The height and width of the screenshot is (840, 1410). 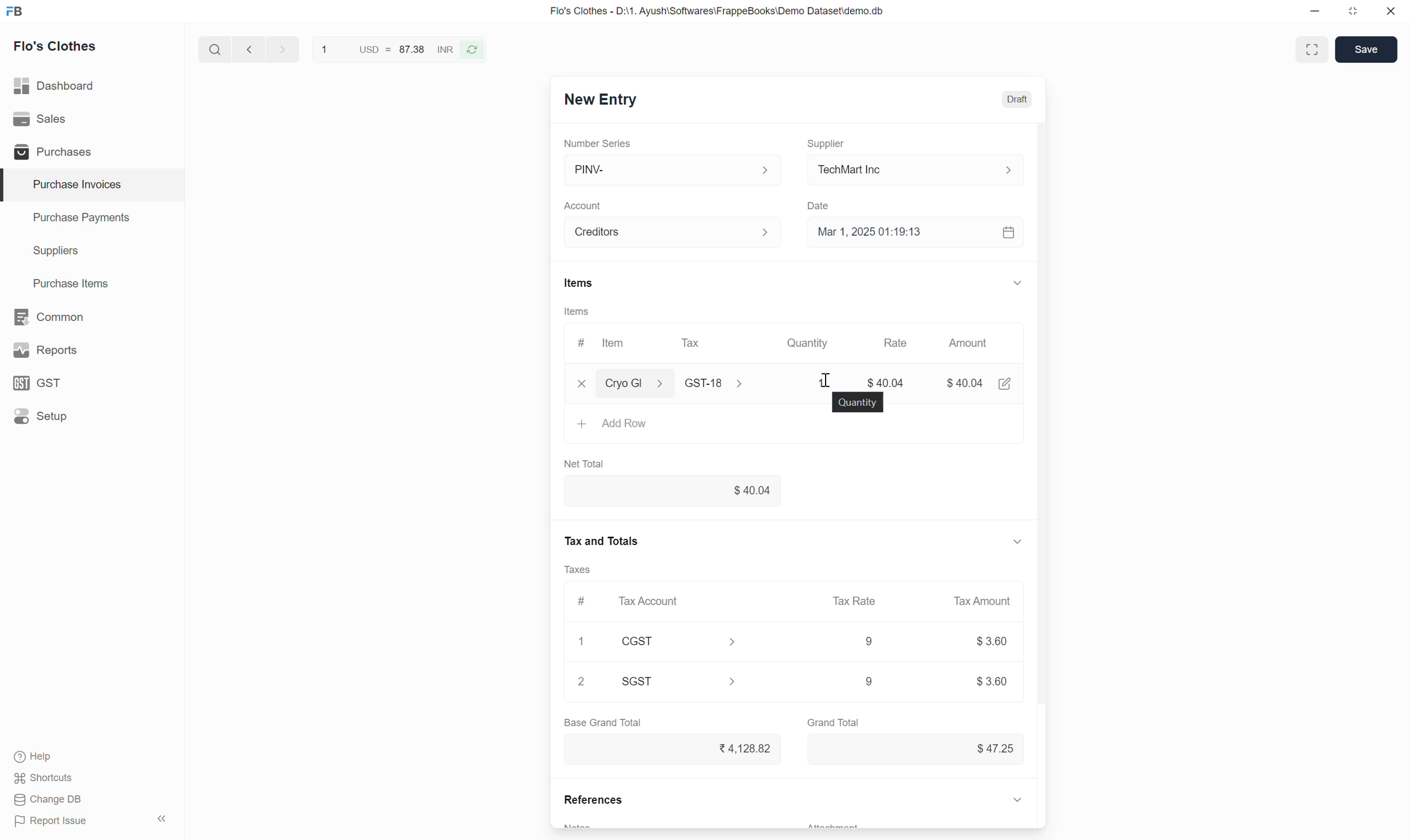 I want to click on 9 $3.60, so click(x=989, y=681).